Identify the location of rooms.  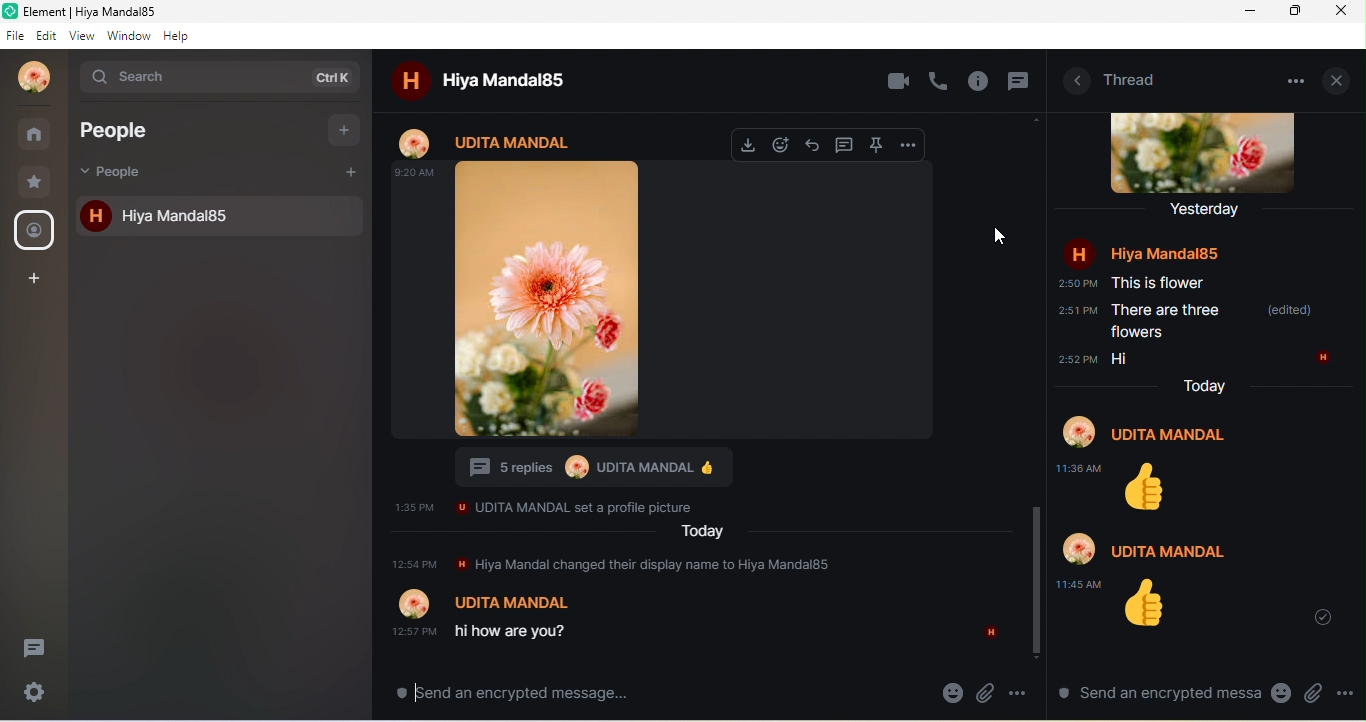
(37, 134).